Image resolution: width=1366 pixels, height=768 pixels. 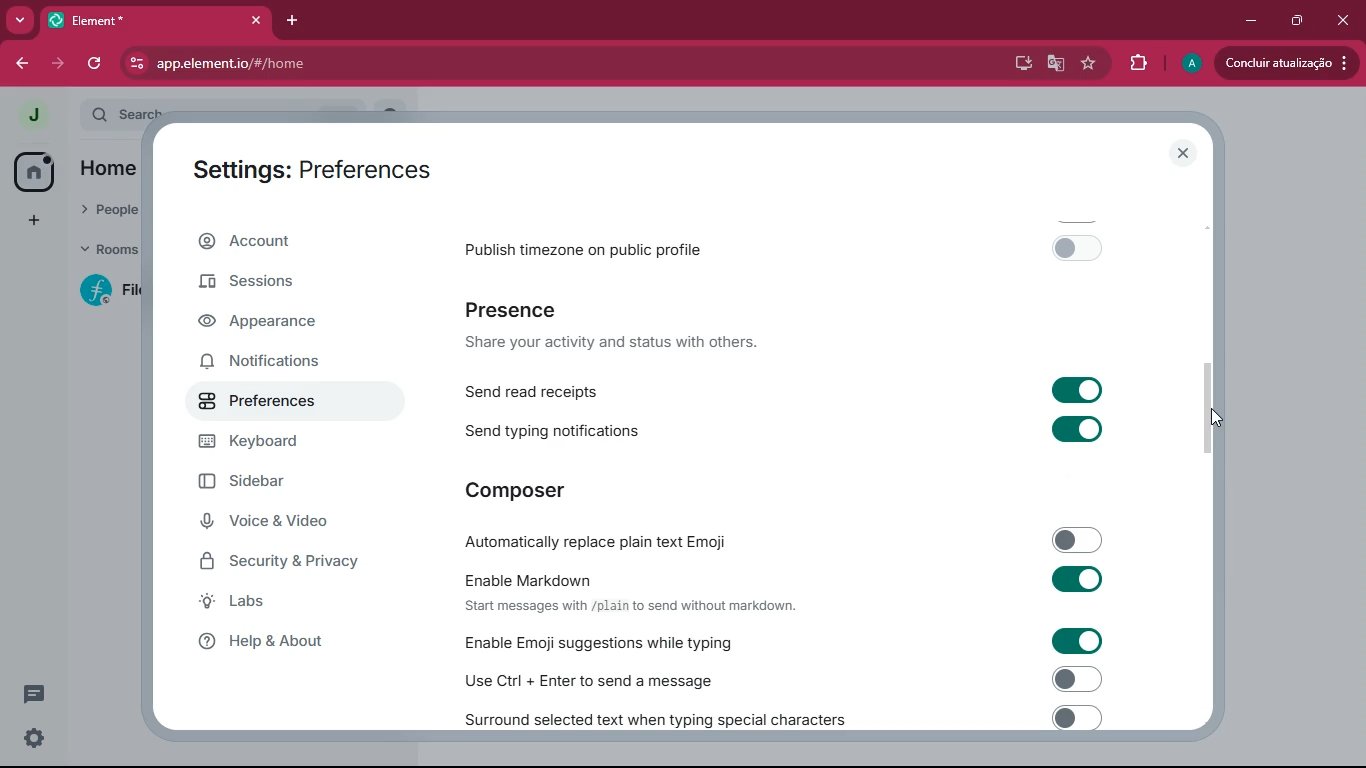 I want to click on use ctrl enter, so click(x=776, y=678).